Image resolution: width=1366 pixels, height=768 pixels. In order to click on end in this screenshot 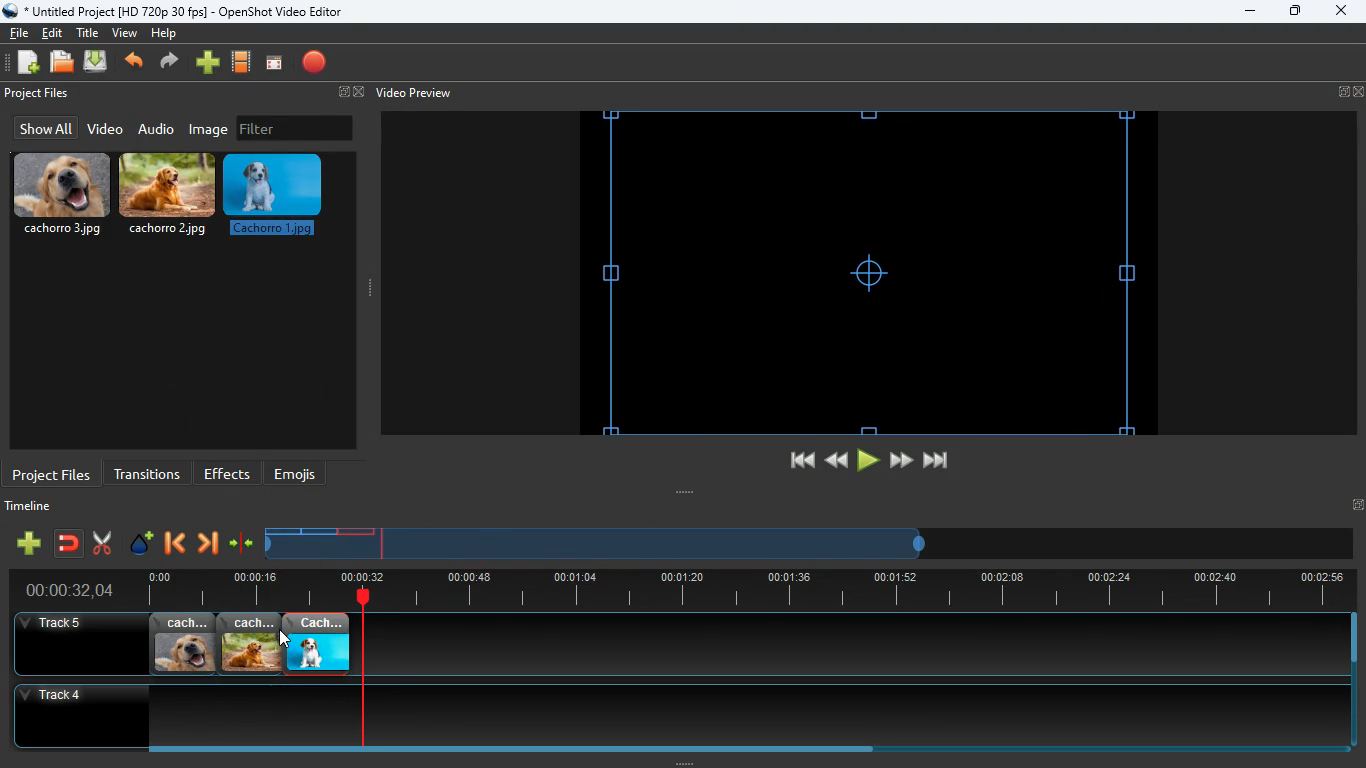, I will do `click(938, 464)`.